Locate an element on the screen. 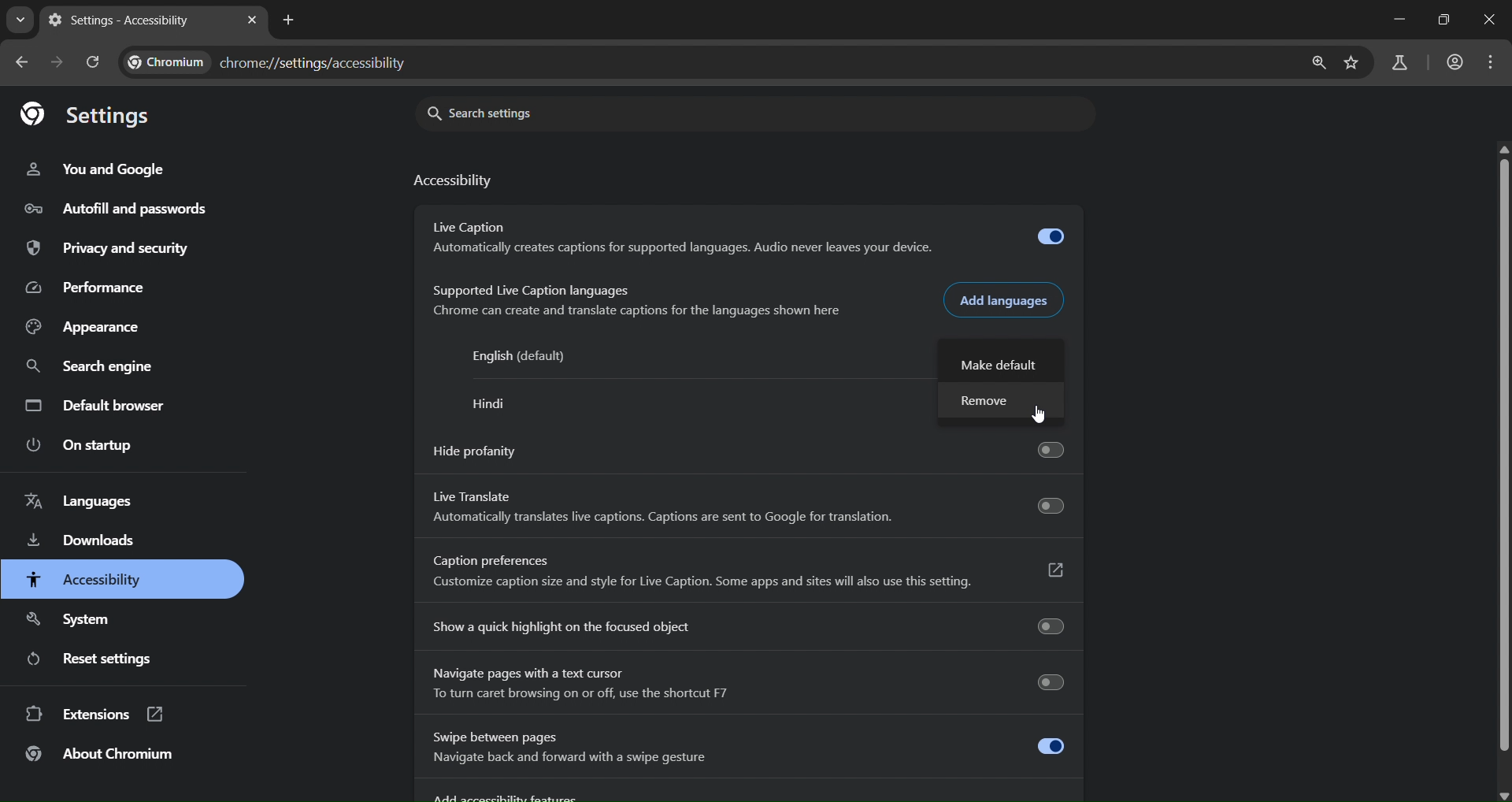 Image resolution: width=1512 pixels, height=802 pixels. accessibility is located at coordinates (91, 579).